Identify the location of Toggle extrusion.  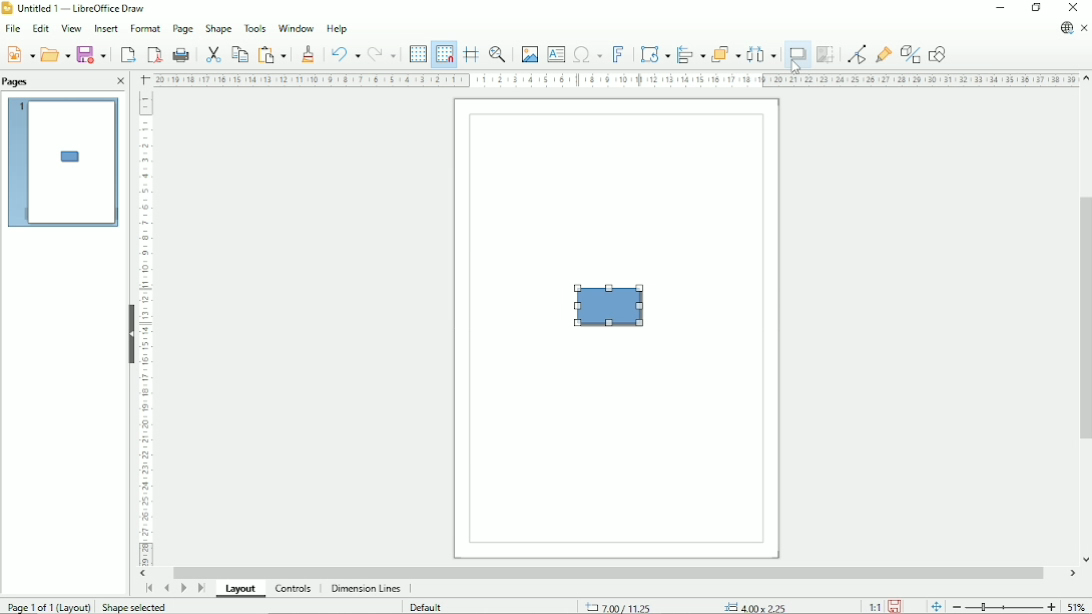
(910, 55).